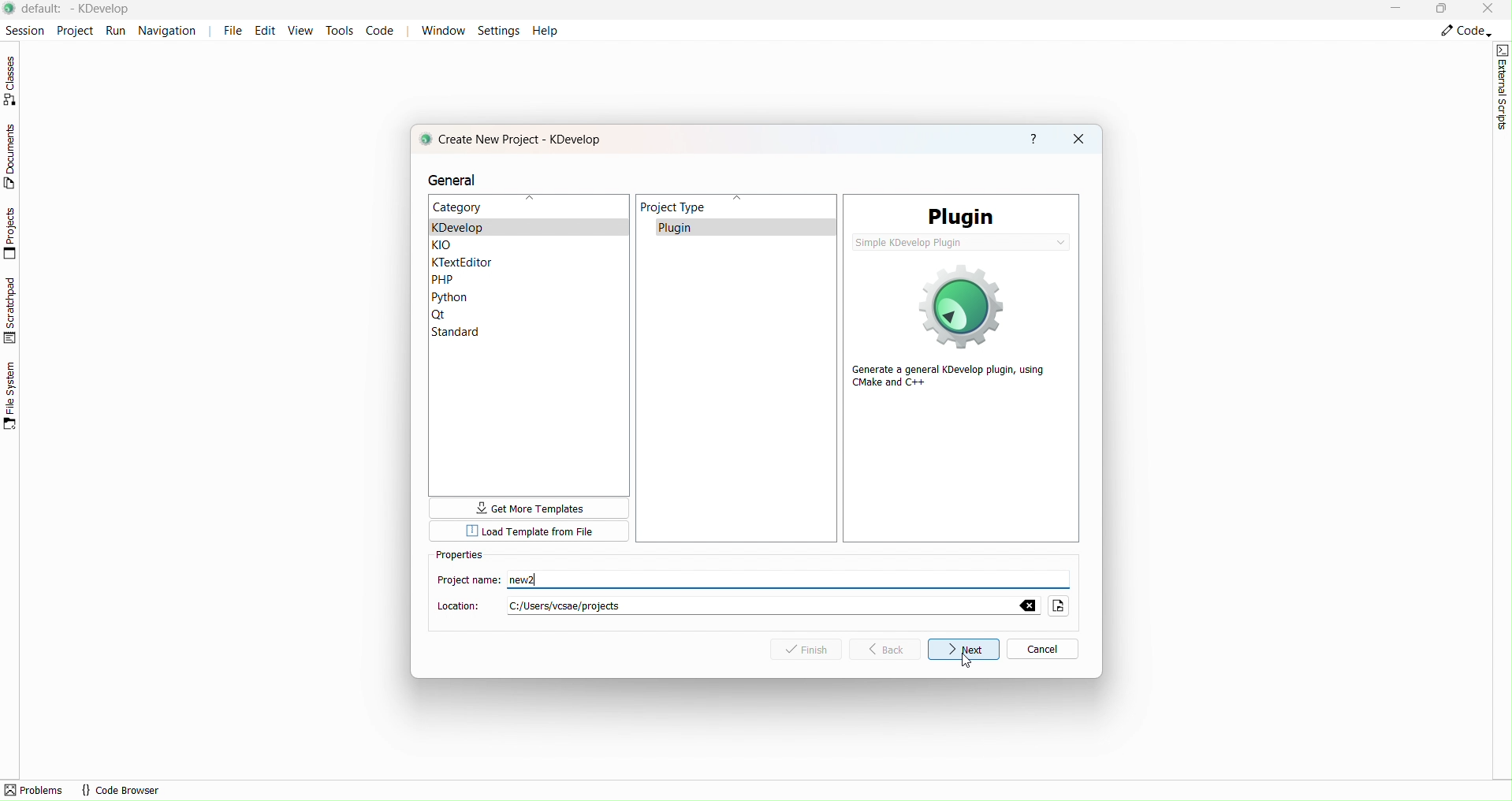 This screenshot has height=801, width=1512. I want to click on Code, so click(382, 31).